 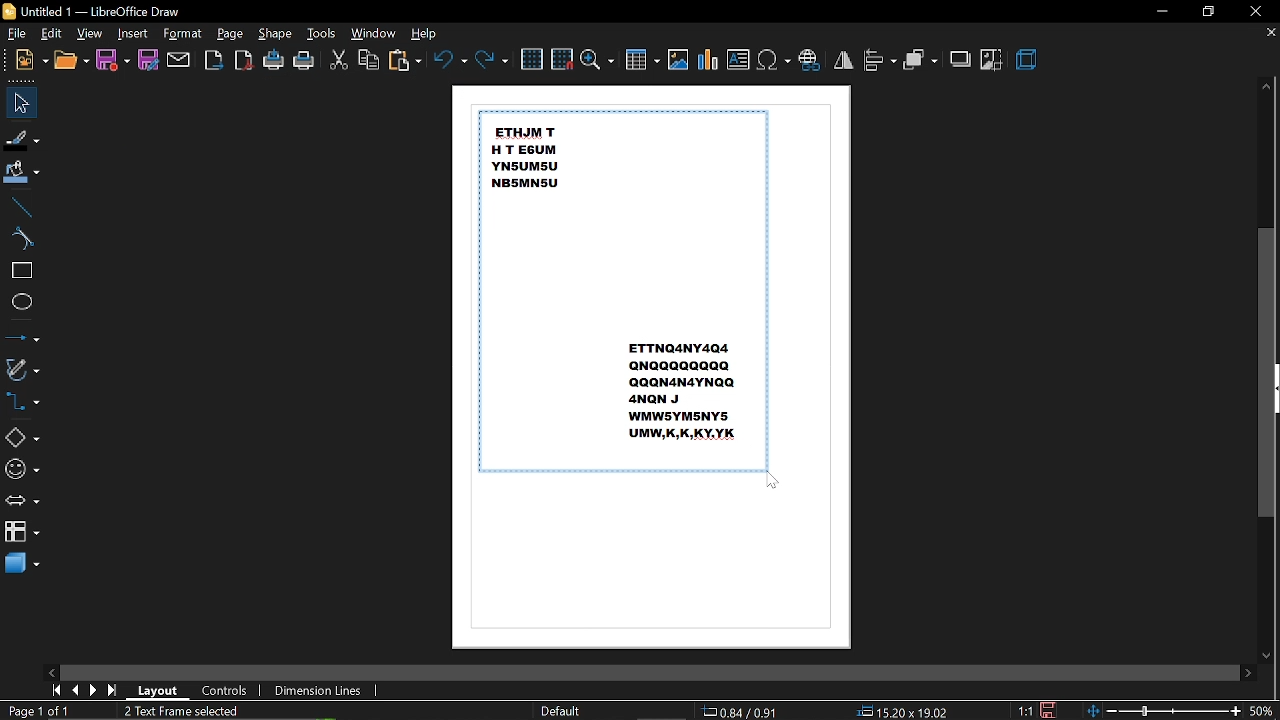 I want to click on default, so click(x=560, y=711).